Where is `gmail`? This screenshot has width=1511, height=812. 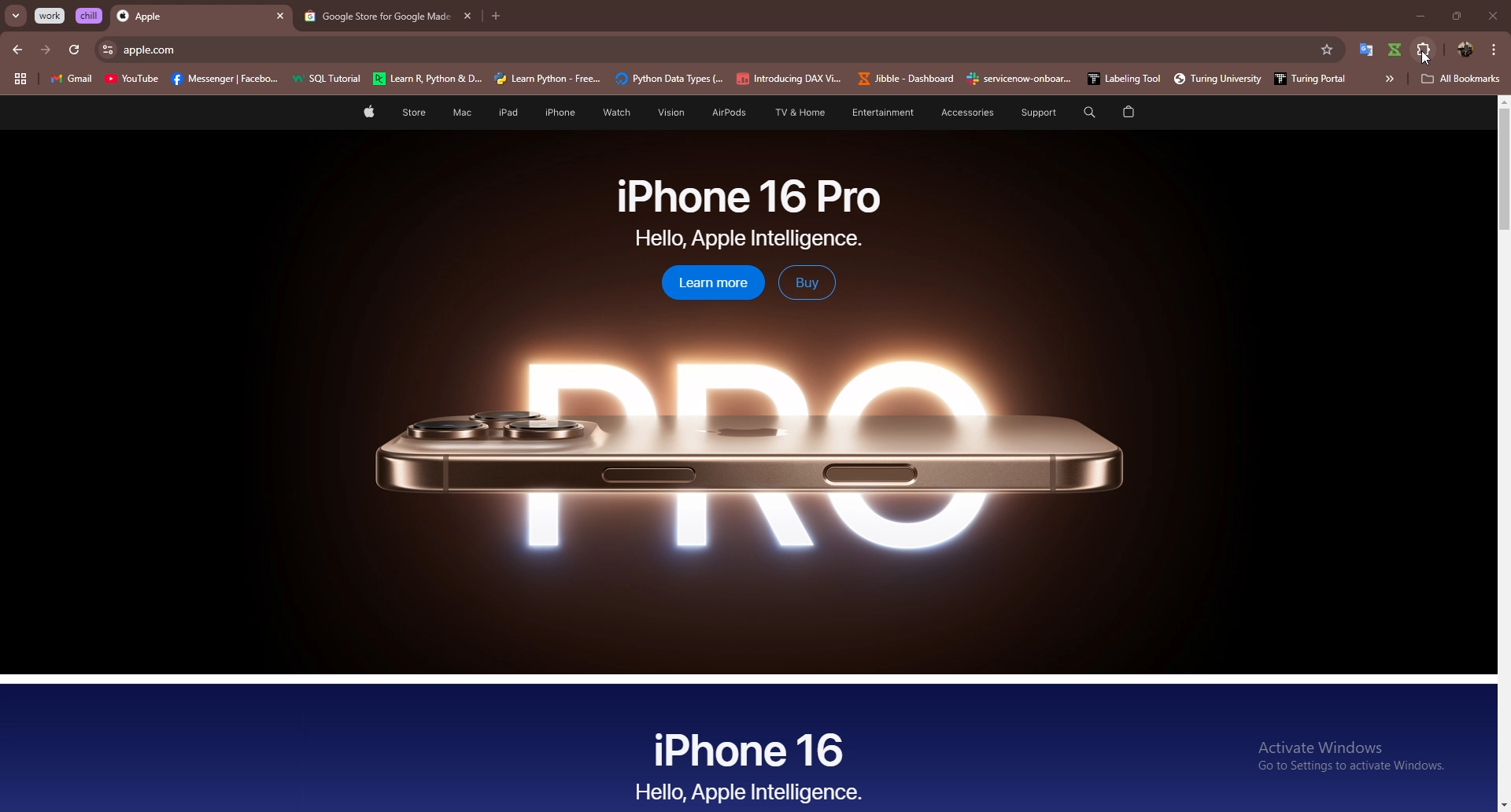
gmail is located at coordinates (71, 80).